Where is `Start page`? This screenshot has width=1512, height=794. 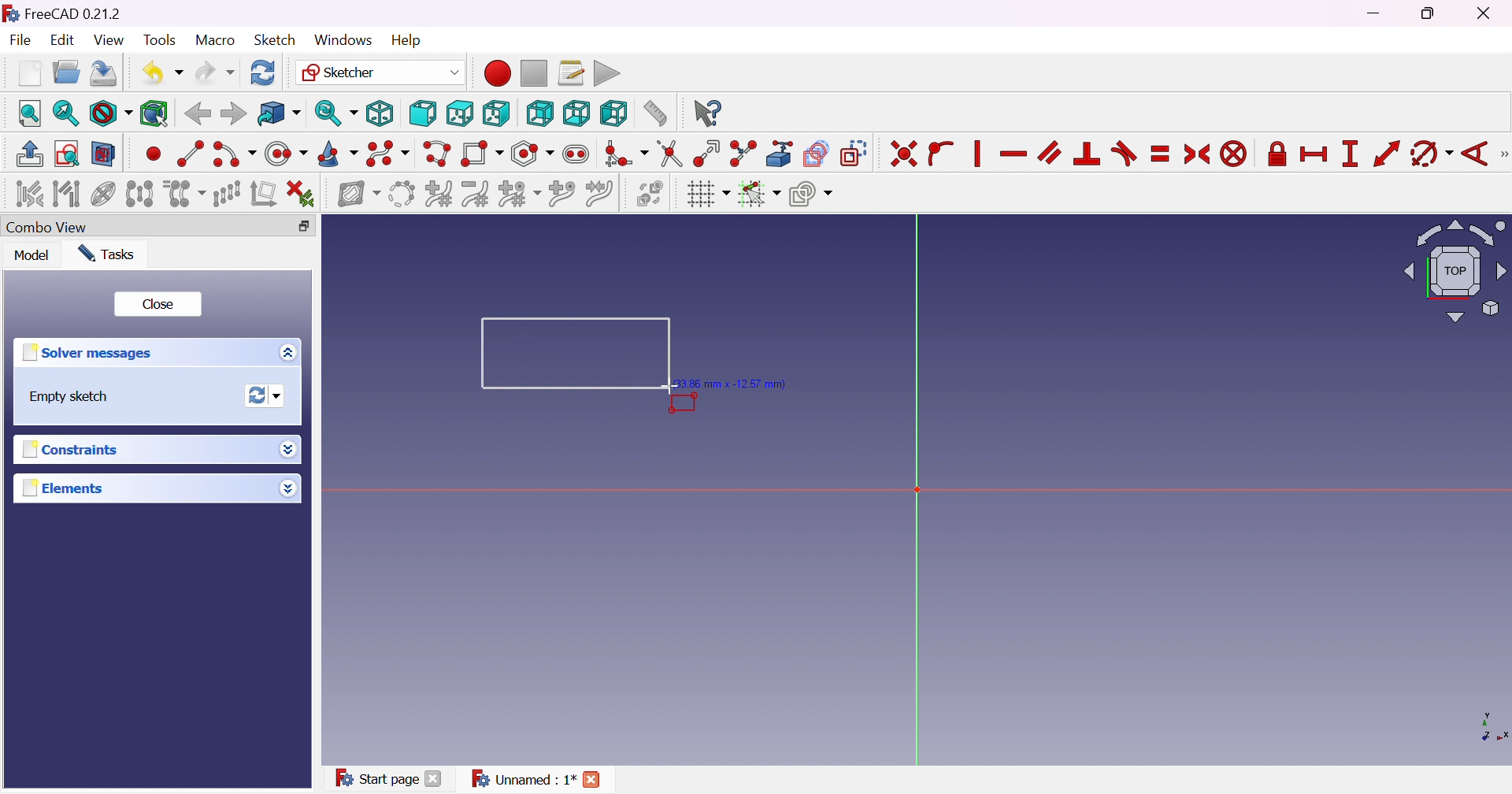
Start page is located at coordinates (373, 777).